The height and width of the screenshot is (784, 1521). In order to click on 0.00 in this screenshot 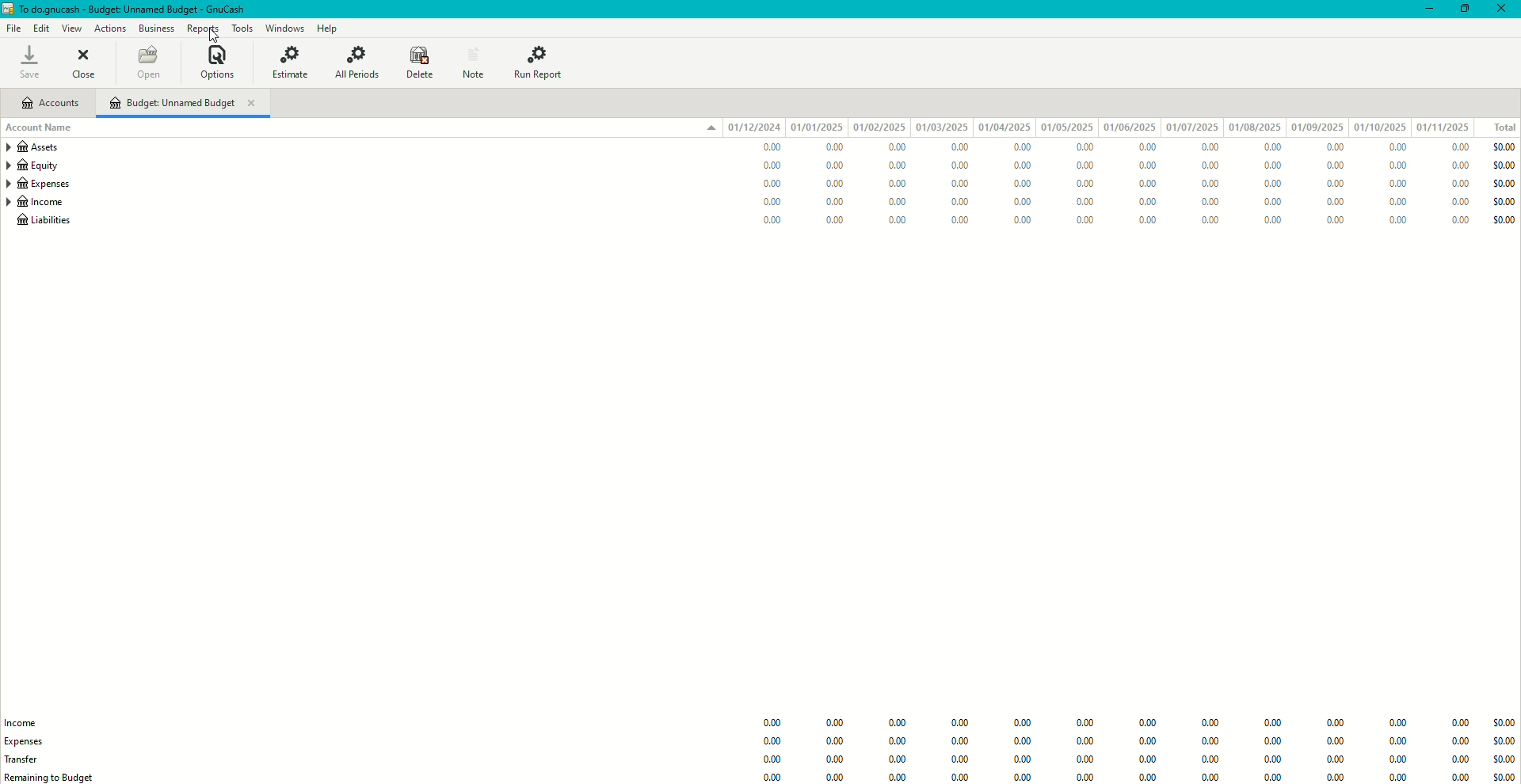, I will do `click(1396, 741)`.